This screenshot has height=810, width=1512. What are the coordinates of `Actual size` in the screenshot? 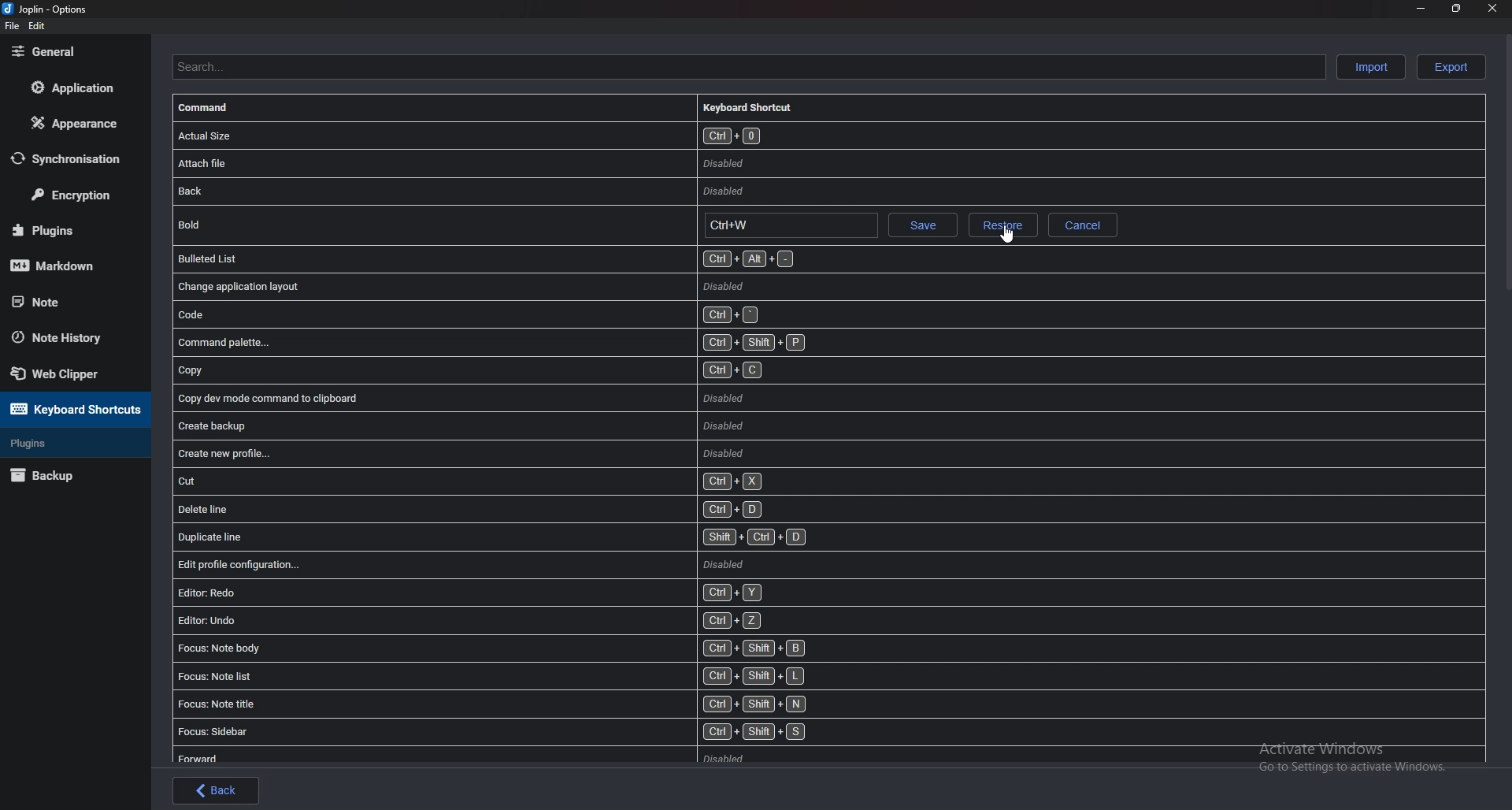 It's located at (654, 136).